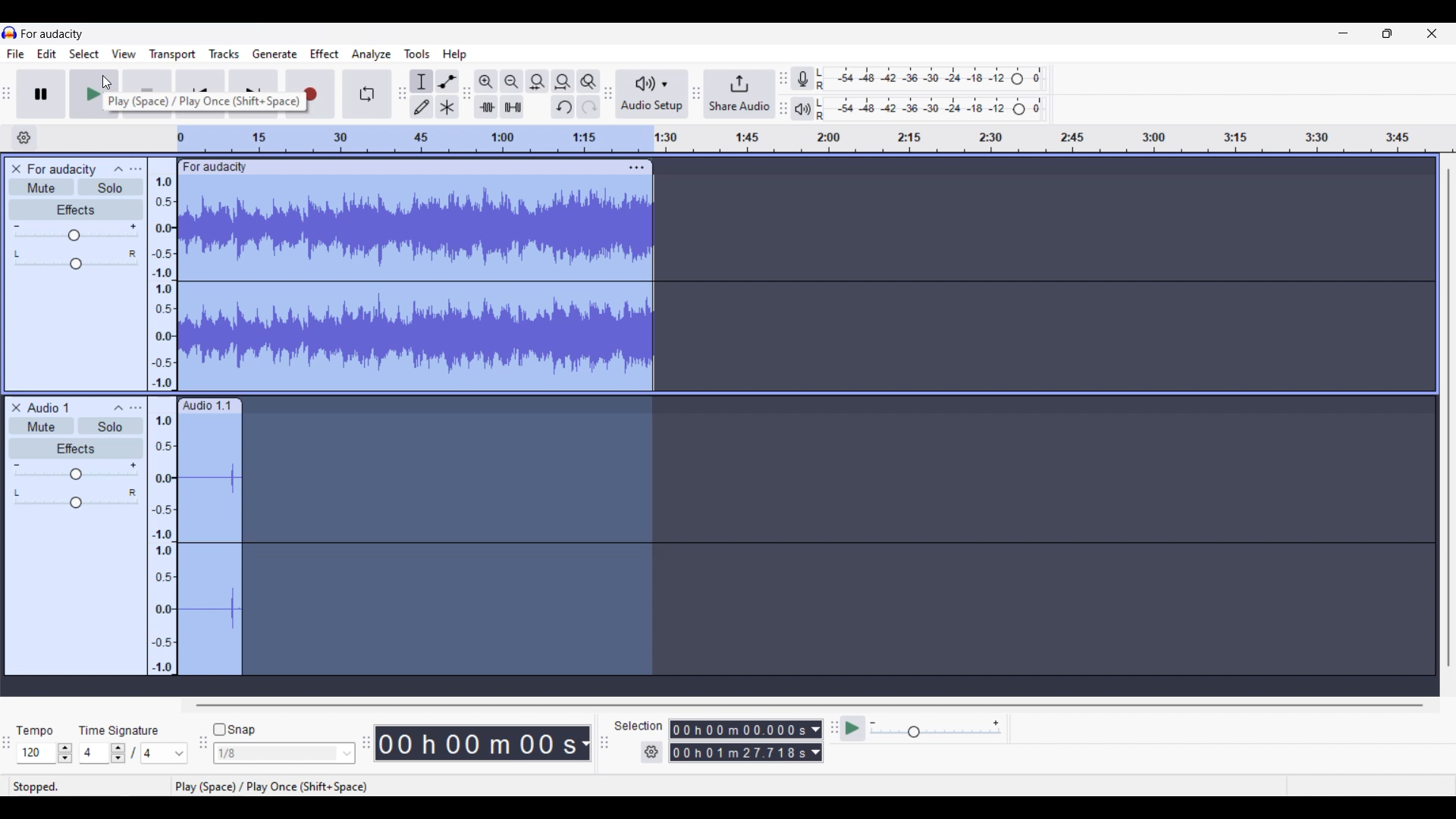  What do you see at coordinates (447, 81) in the screenshot?
I see `Envelop tool` at bounding box center [447, 81].